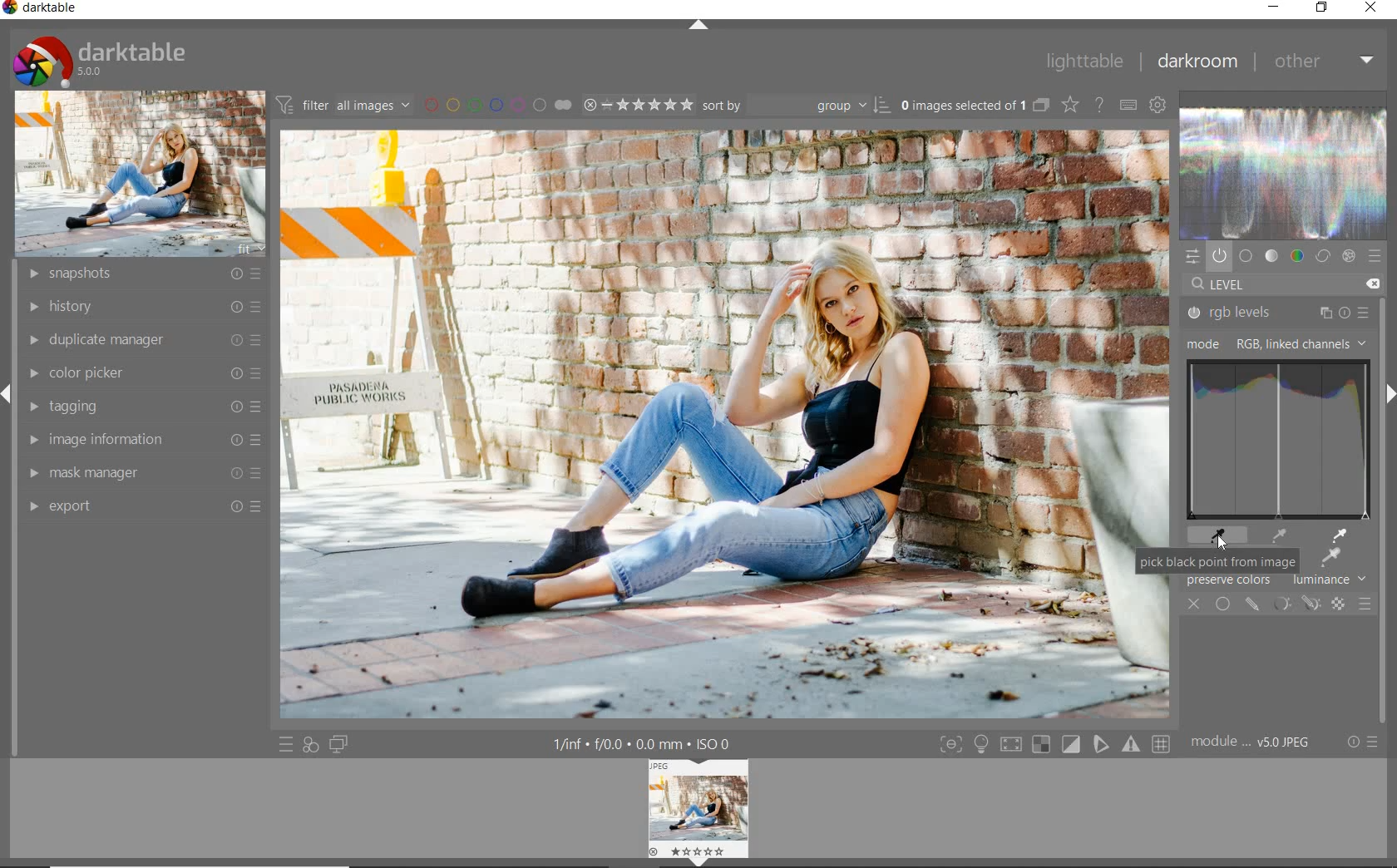 This screenshot has height=868, width=1397. I want to click on collapse grouped images, so click(1042, 106).